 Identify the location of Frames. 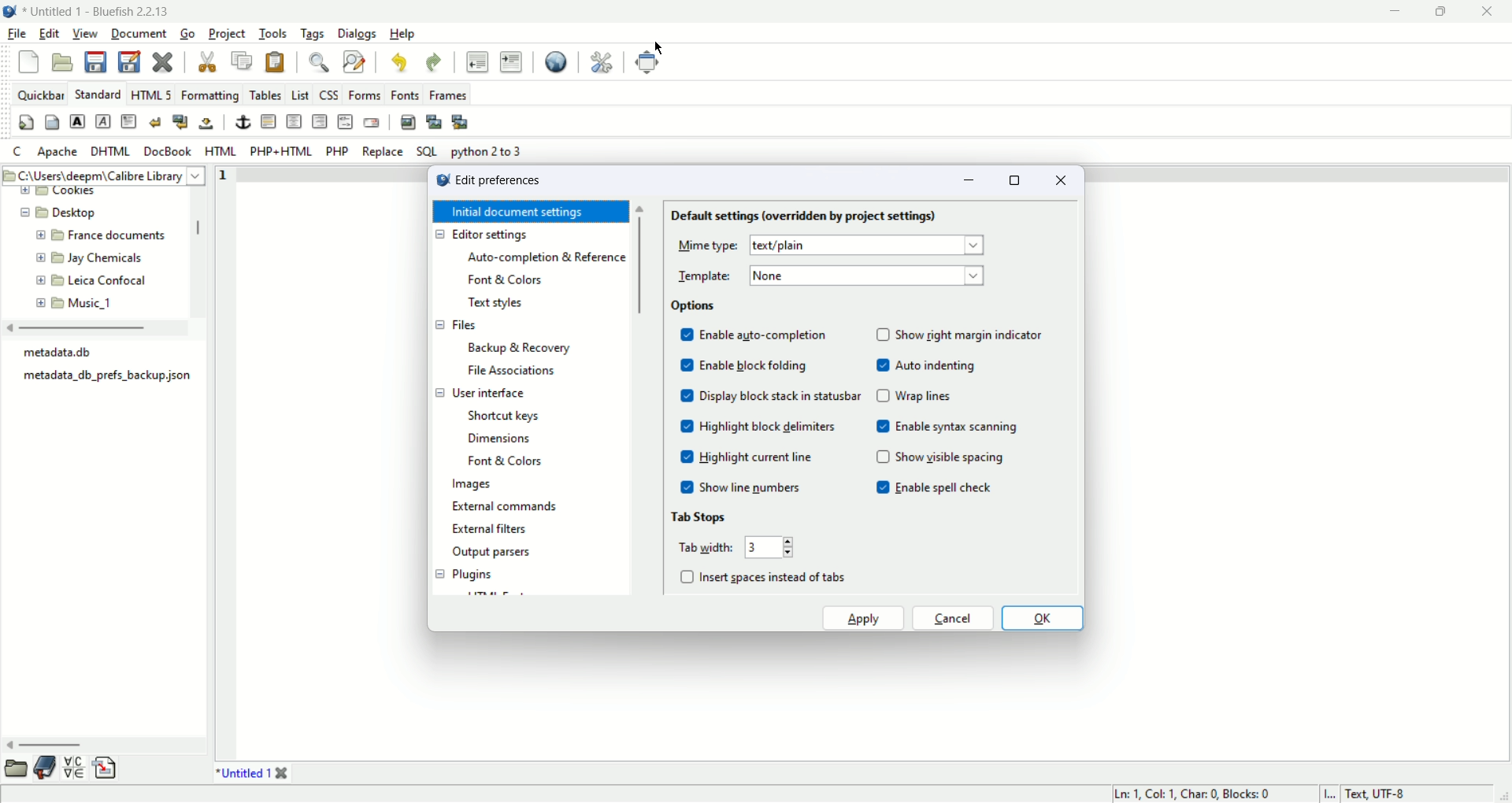
(447, 95).